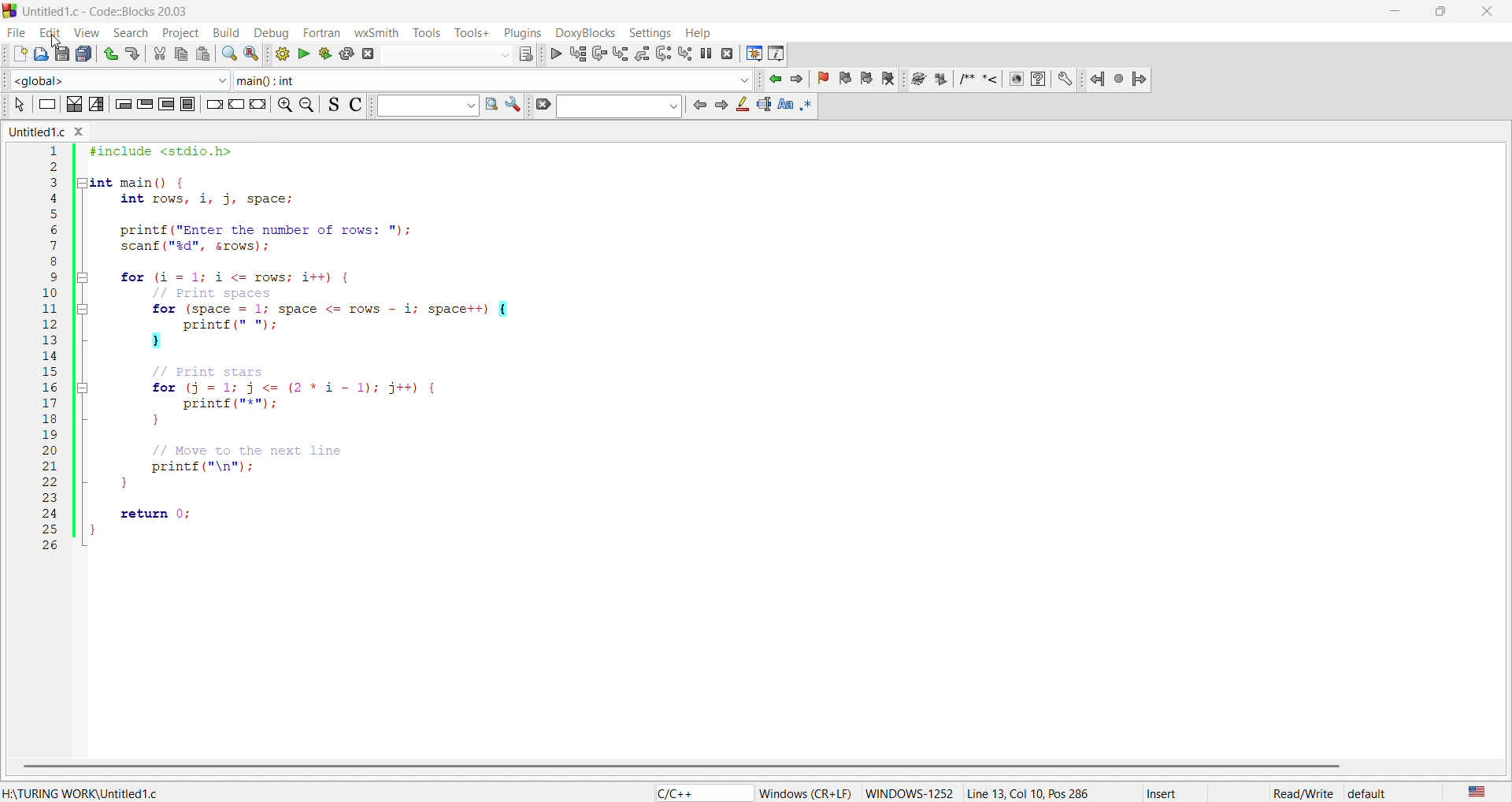 The width and height of the screenshot is (1512, 802). I want to click on next, so click(721, 106).